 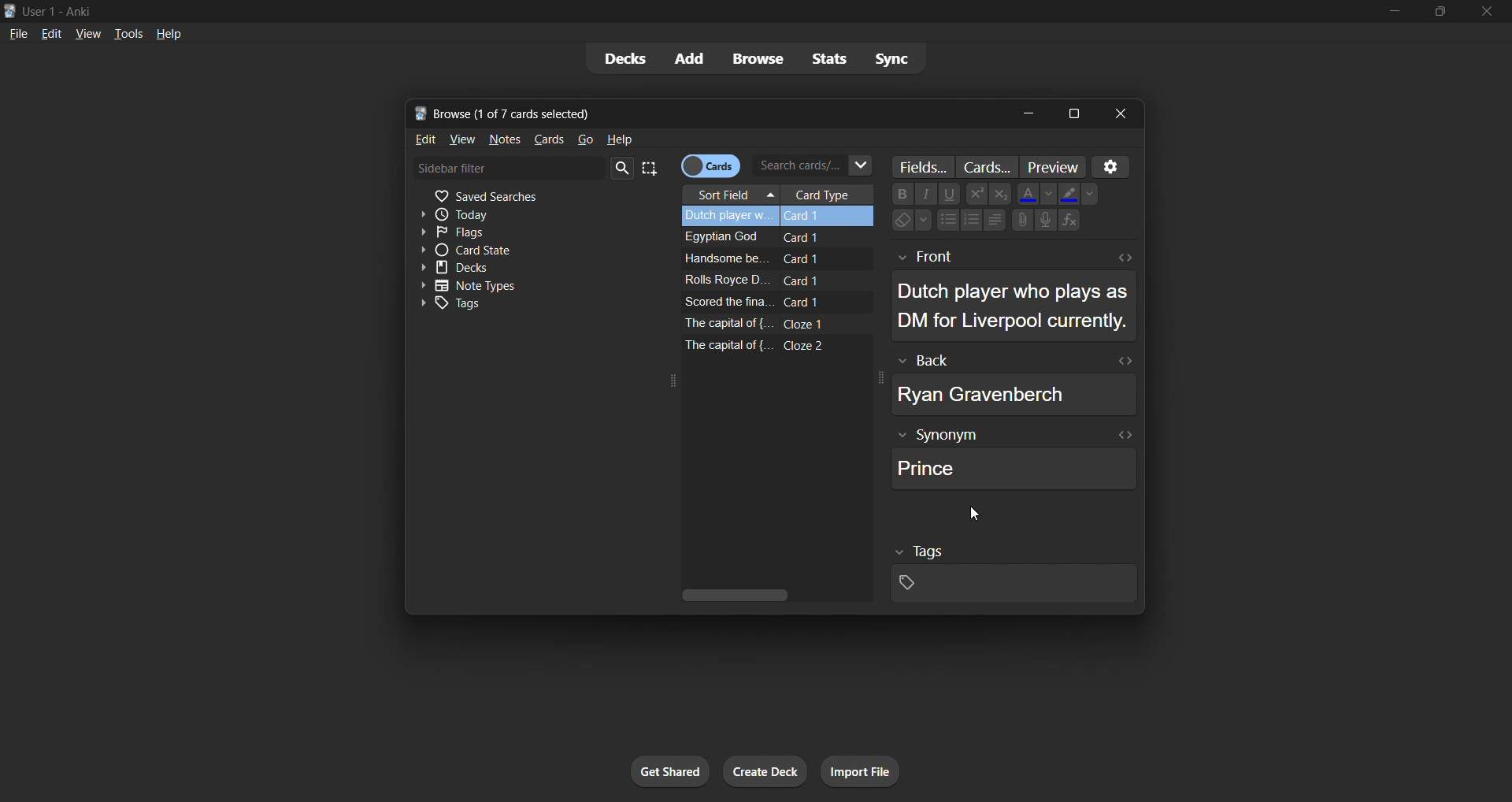 I want to click on sort field column, so click(x=736, y=194).